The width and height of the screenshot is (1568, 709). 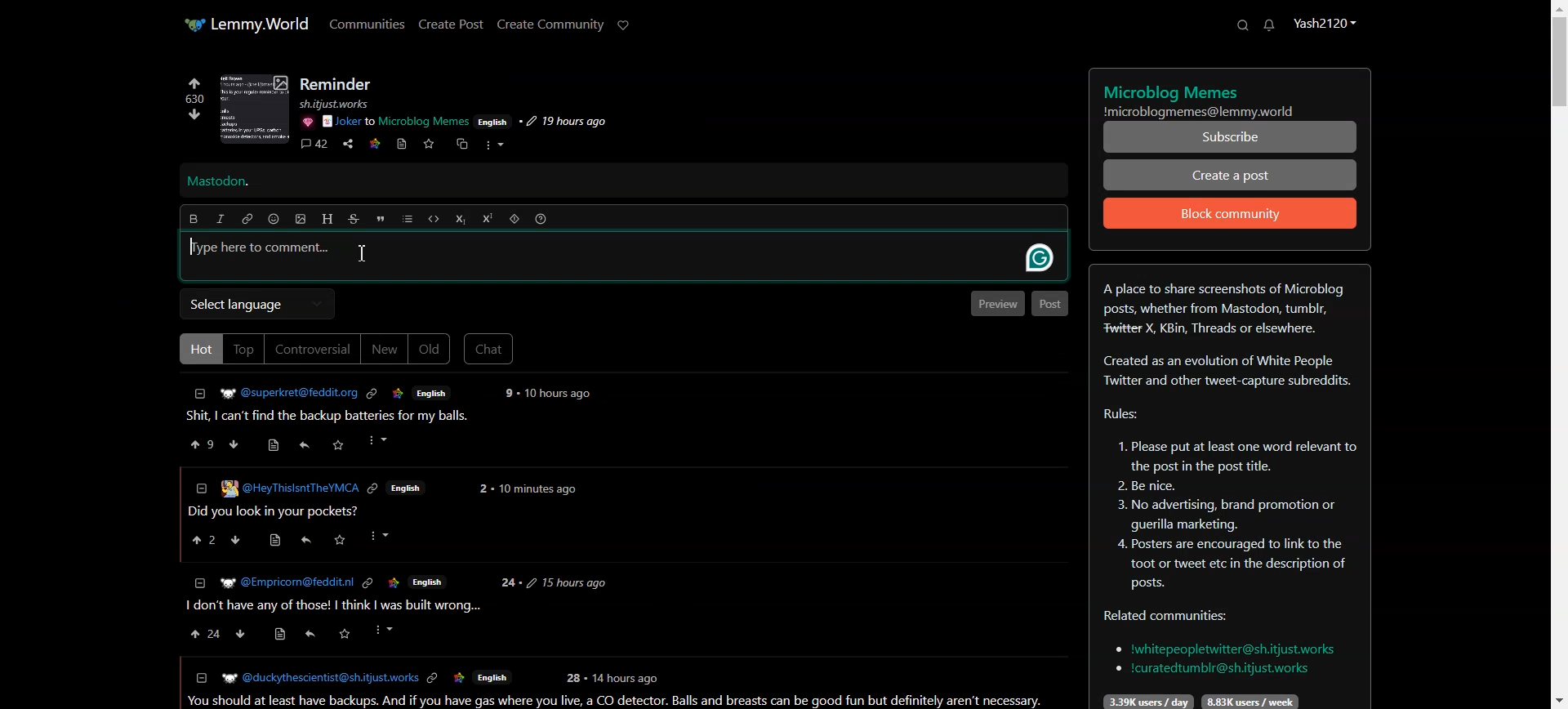 I want to click on , so click(x=506, y=393).